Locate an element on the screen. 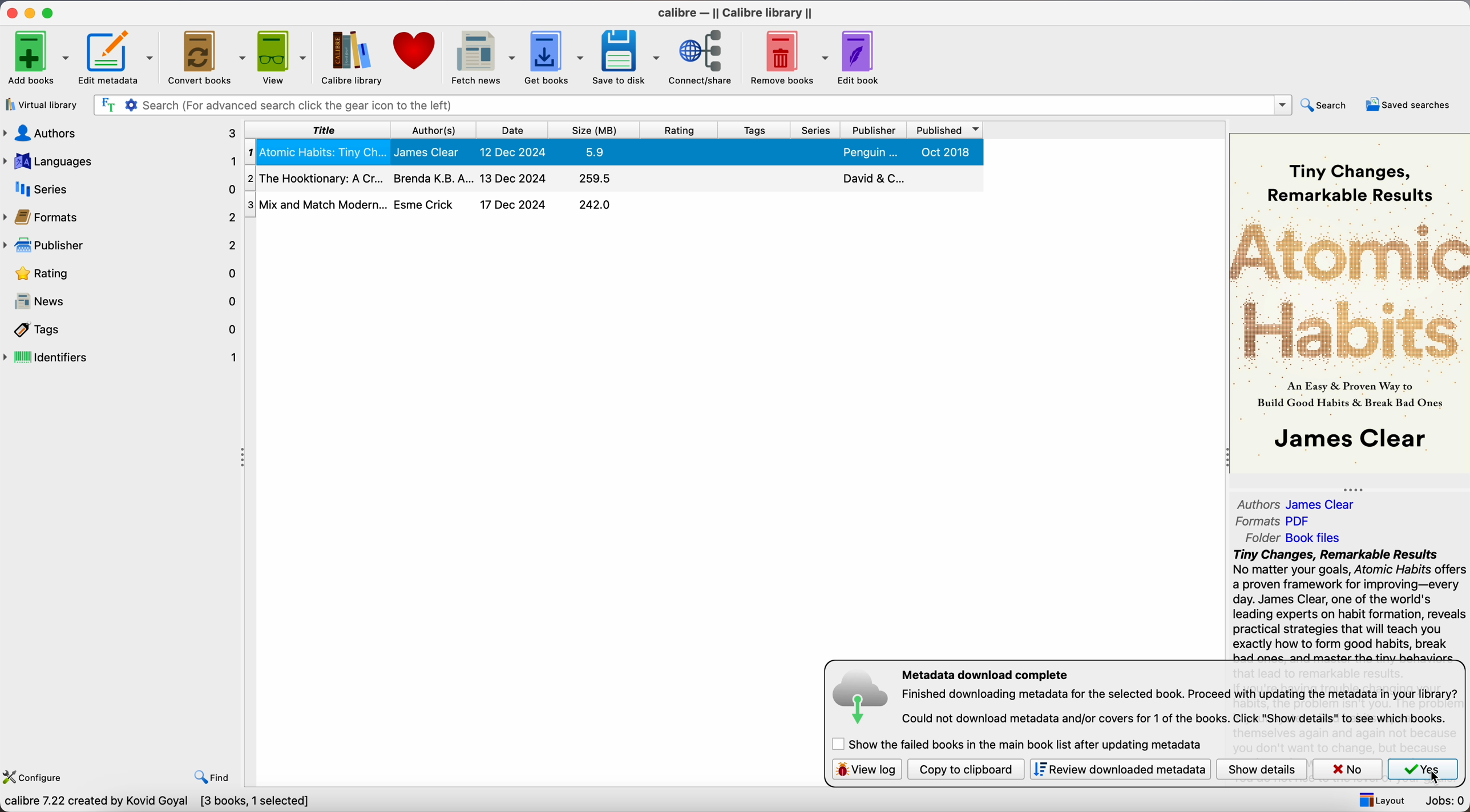 The image size is (1470, 812). authors is located at coordinates (437, 130).